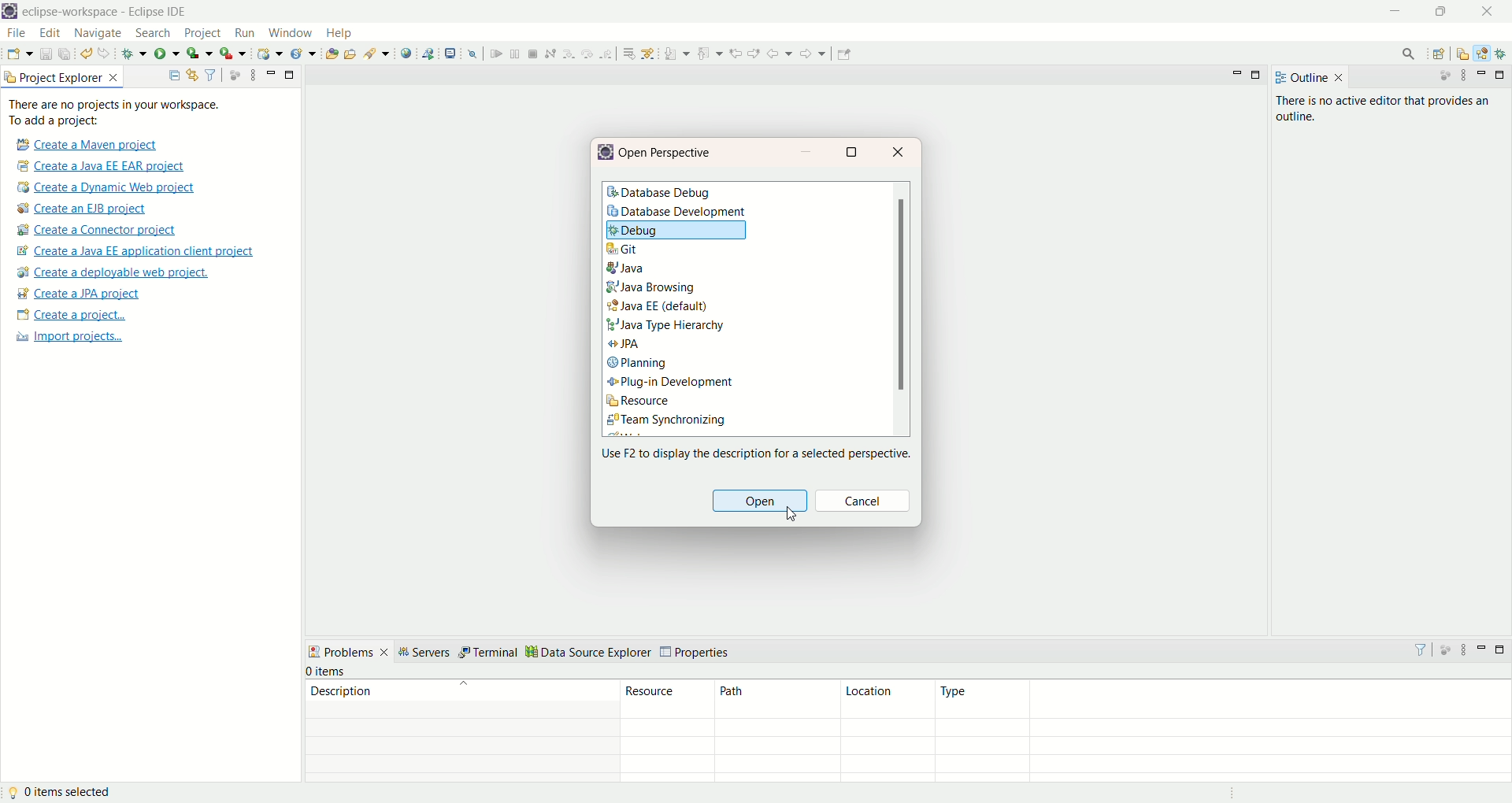  What do you see at coordinates (736, 53) in the screenshot?
I see `previous edit location` at bounding box center [736, 53].